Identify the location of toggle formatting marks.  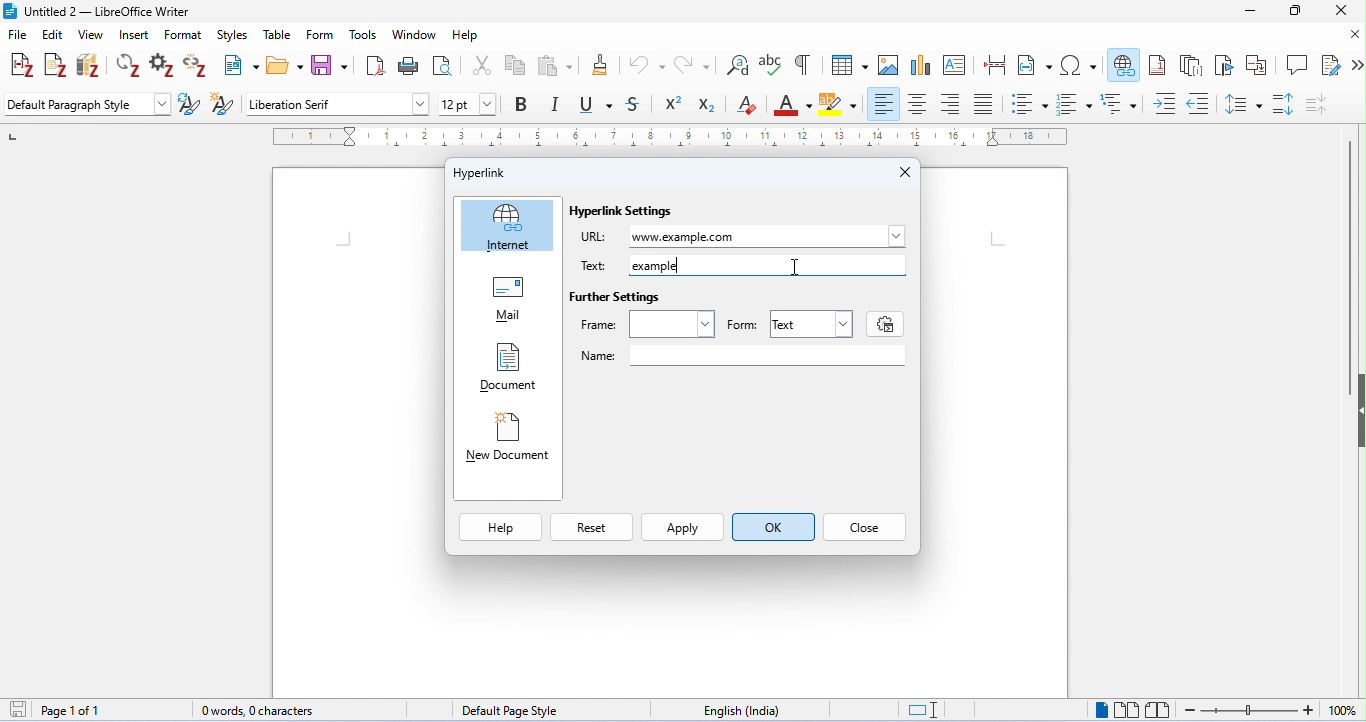
(803, 64).